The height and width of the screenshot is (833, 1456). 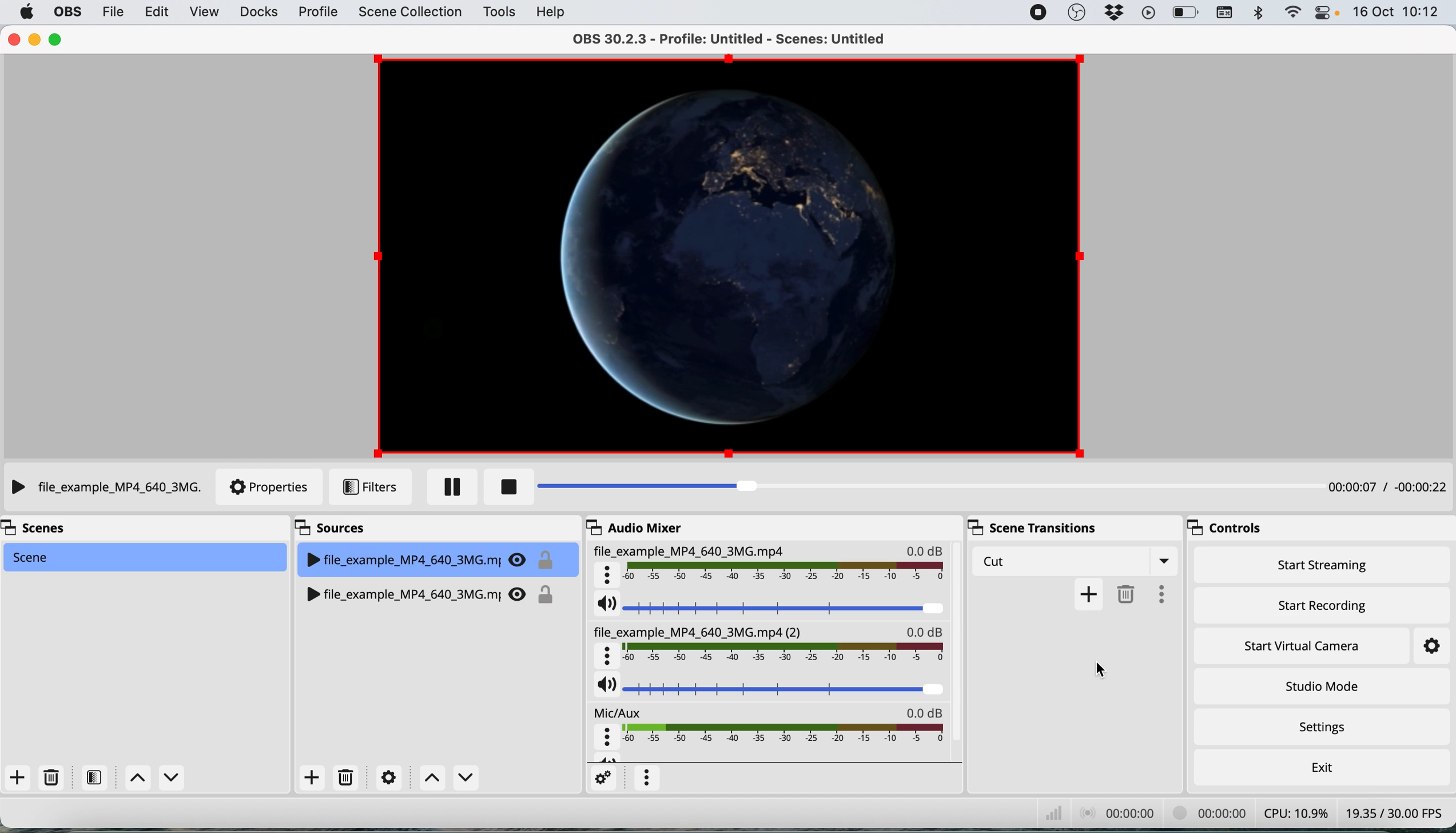 What do you see at coordinates (150, 776) in the screenshot?
I see `switch between scenes` at bounding box center [150, 776].